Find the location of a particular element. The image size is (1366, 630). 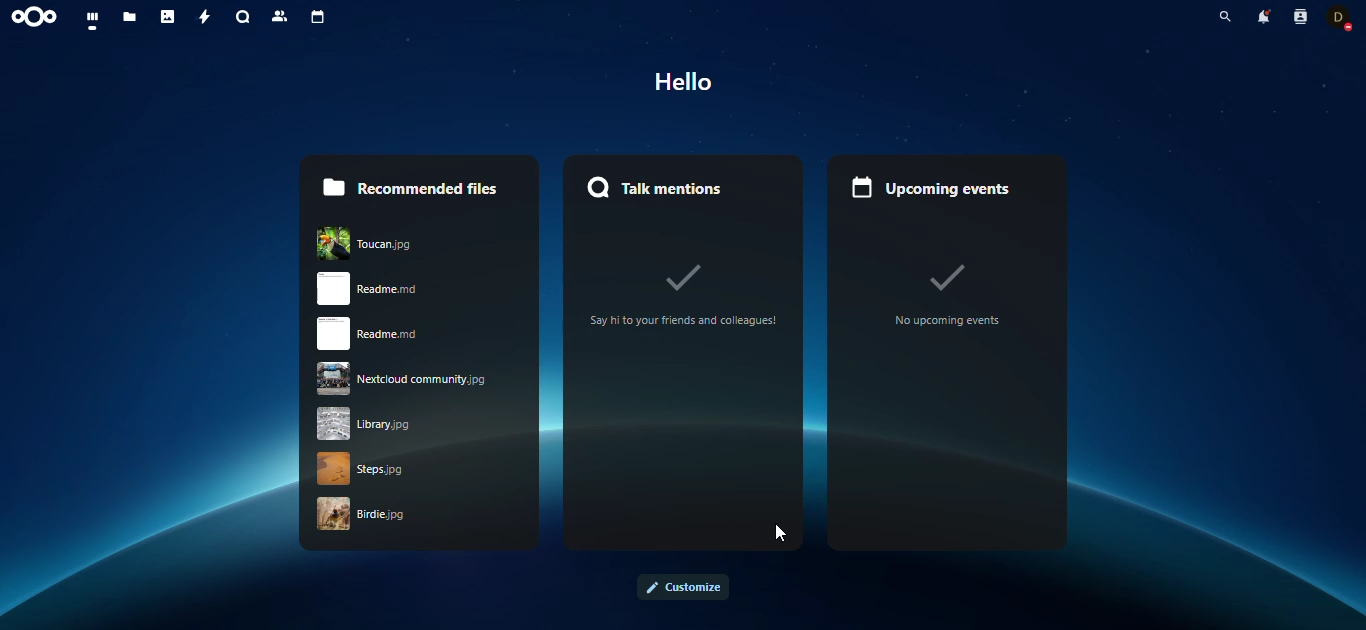

activity is located at coordinates (207, 18).